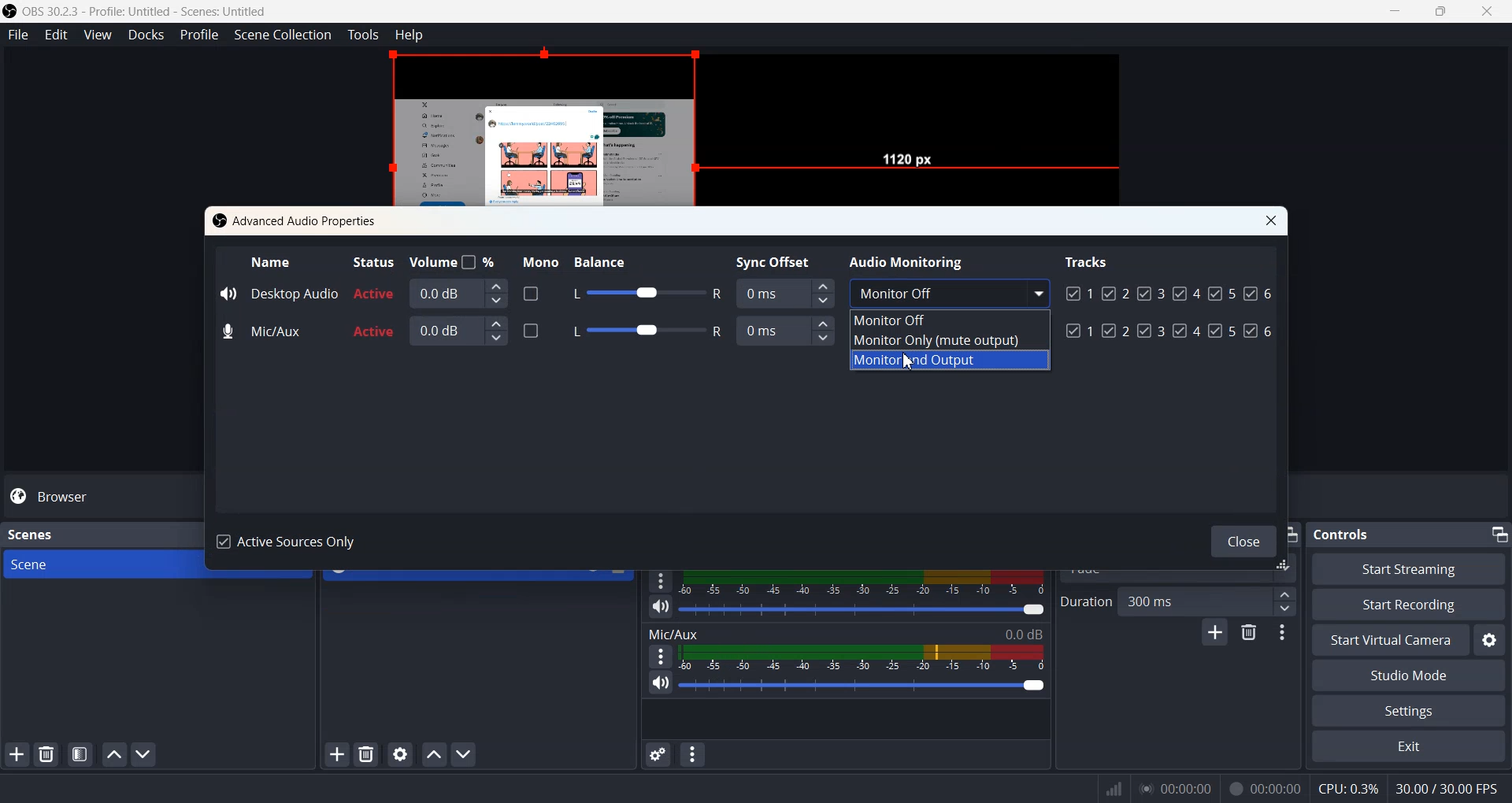 The image size is (1512, 803). Describe the element at coordinates (951, 341) in the screenshot. I see `Monitor Only (mute output)` at that location.